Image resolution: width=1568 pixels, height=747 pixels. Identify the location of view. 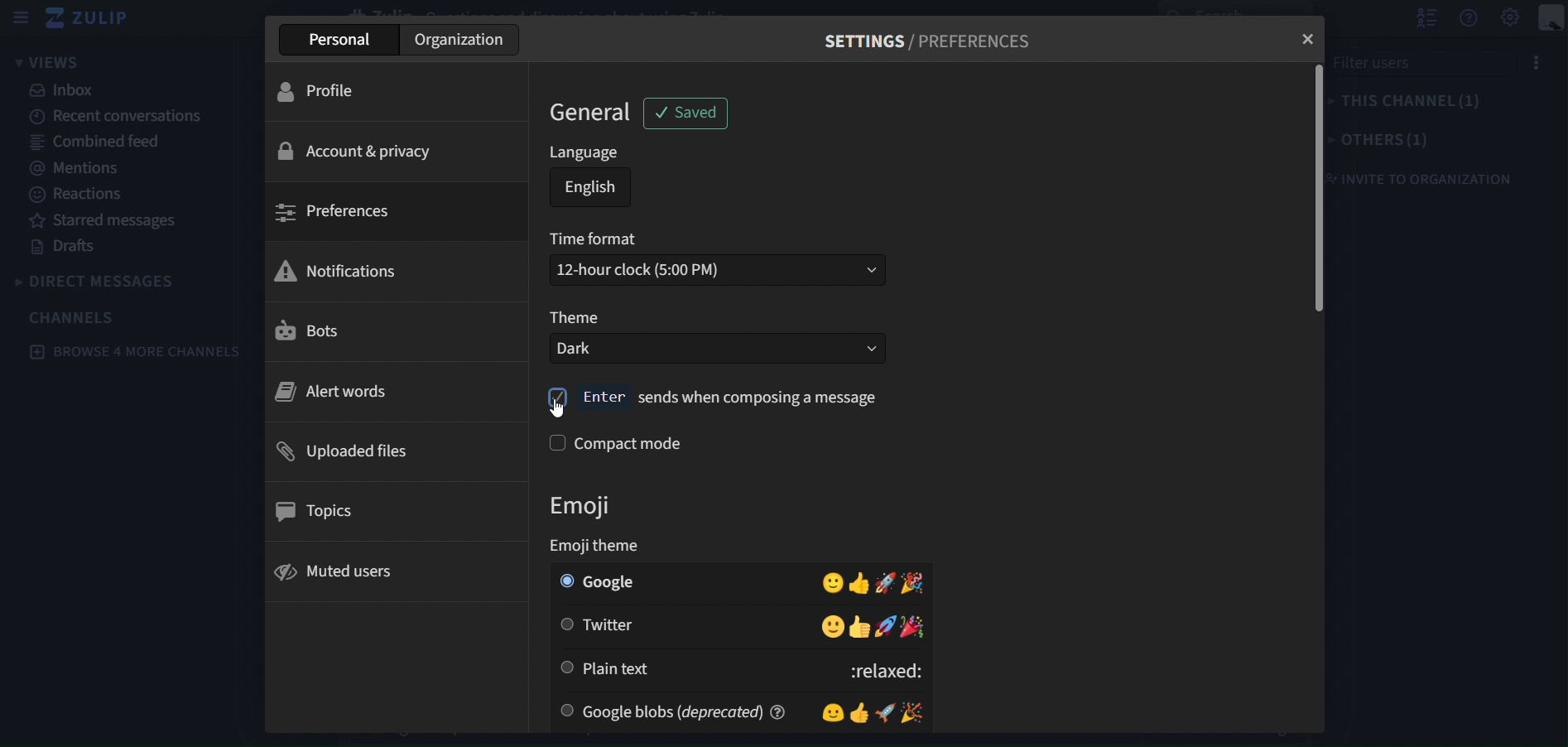
(50, 62).